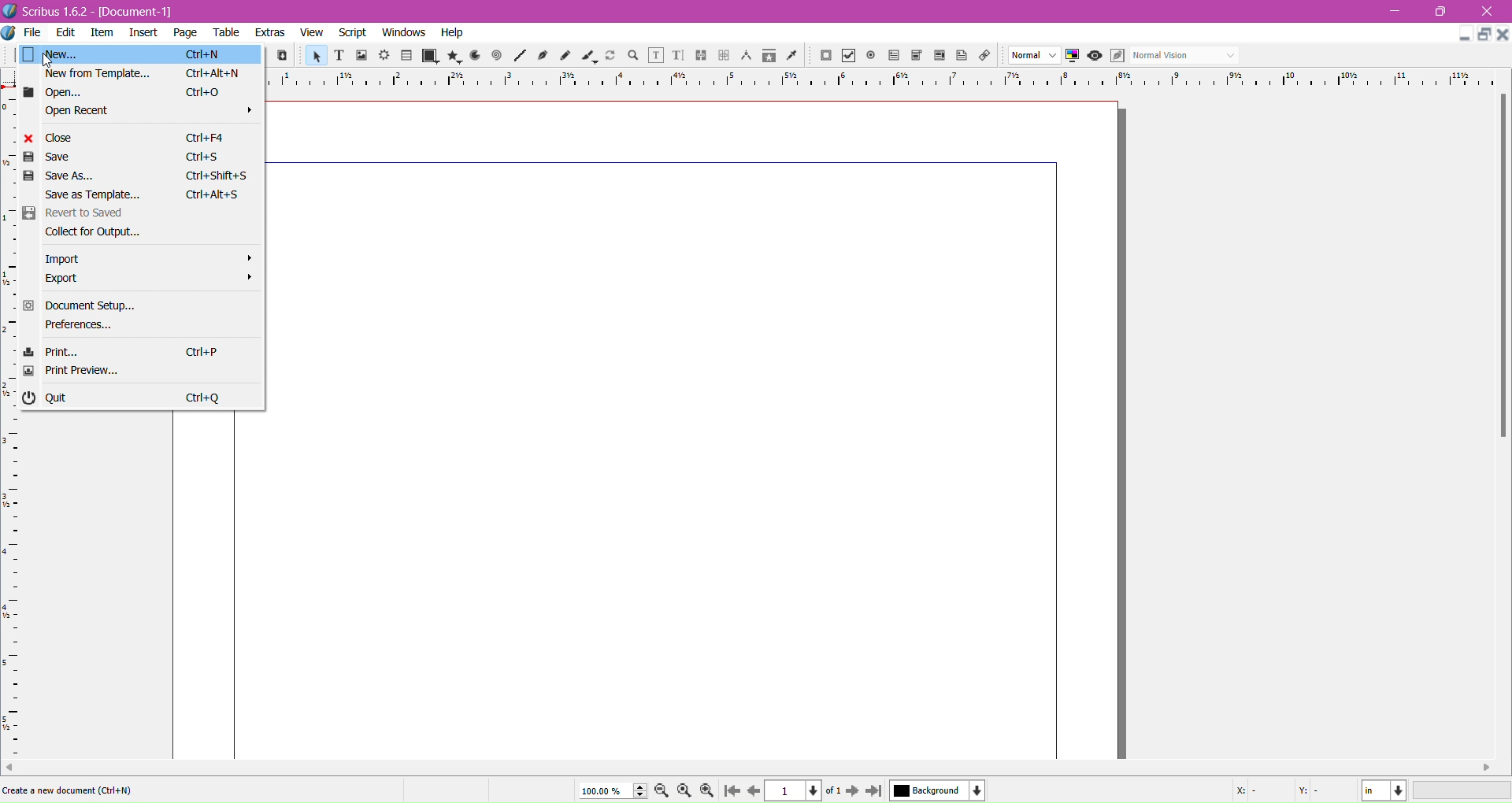  What do you see at coordinates (1070, 55) in the screenshot?
I see `icon` at bounding box center [1070, 55].